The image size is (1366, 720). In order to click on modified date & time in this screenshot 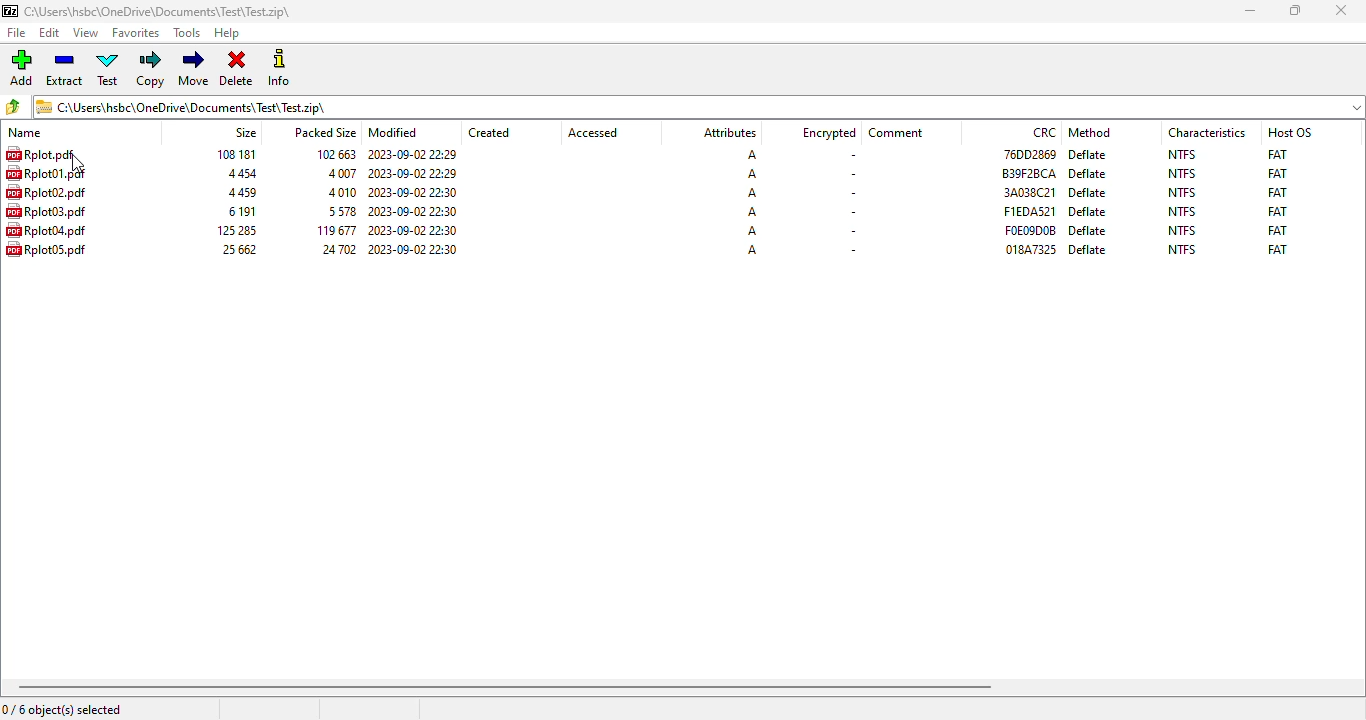, I will do `click(413, 230)`.